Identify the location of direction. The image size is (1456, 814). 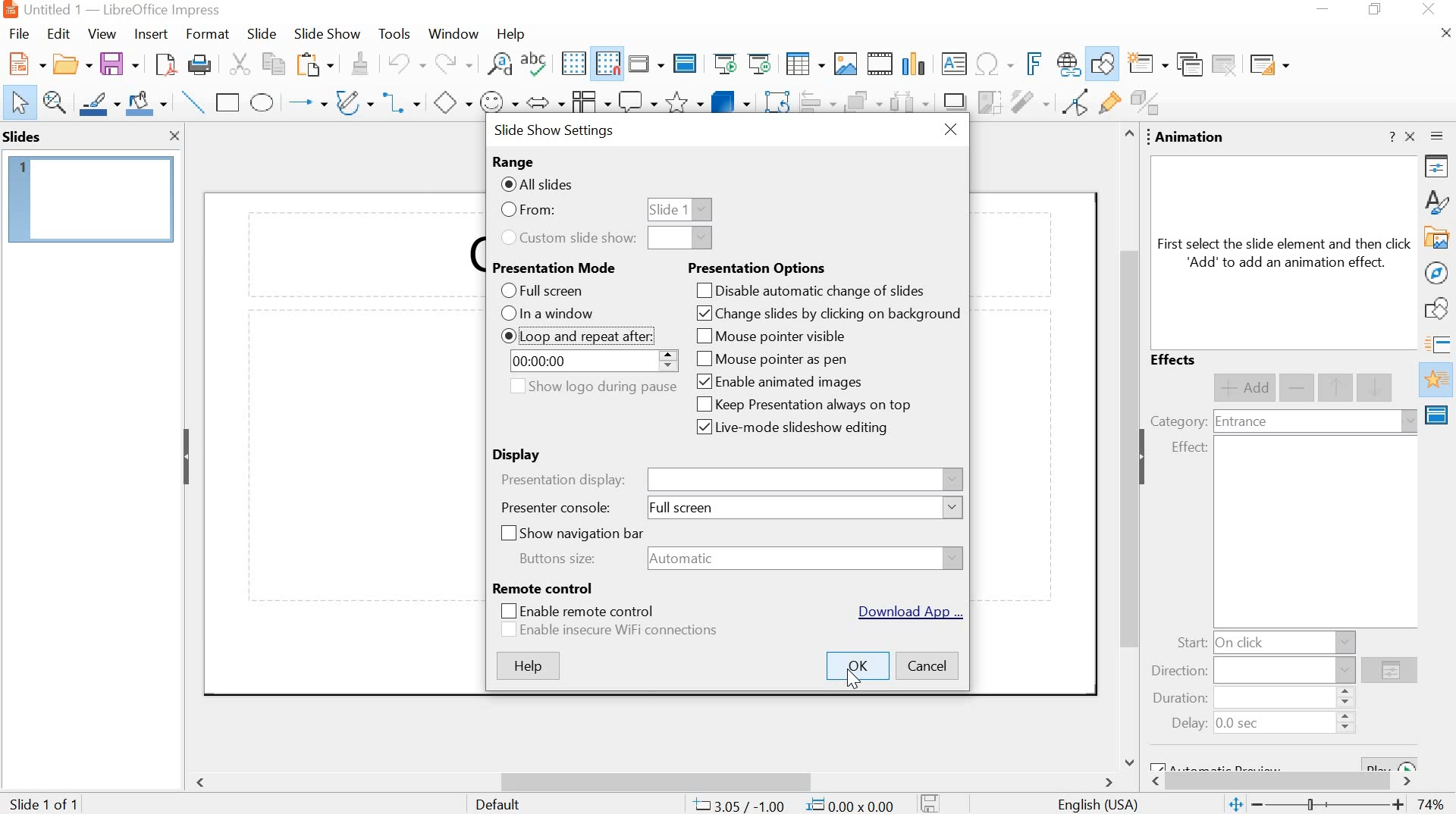
(1180, 672).